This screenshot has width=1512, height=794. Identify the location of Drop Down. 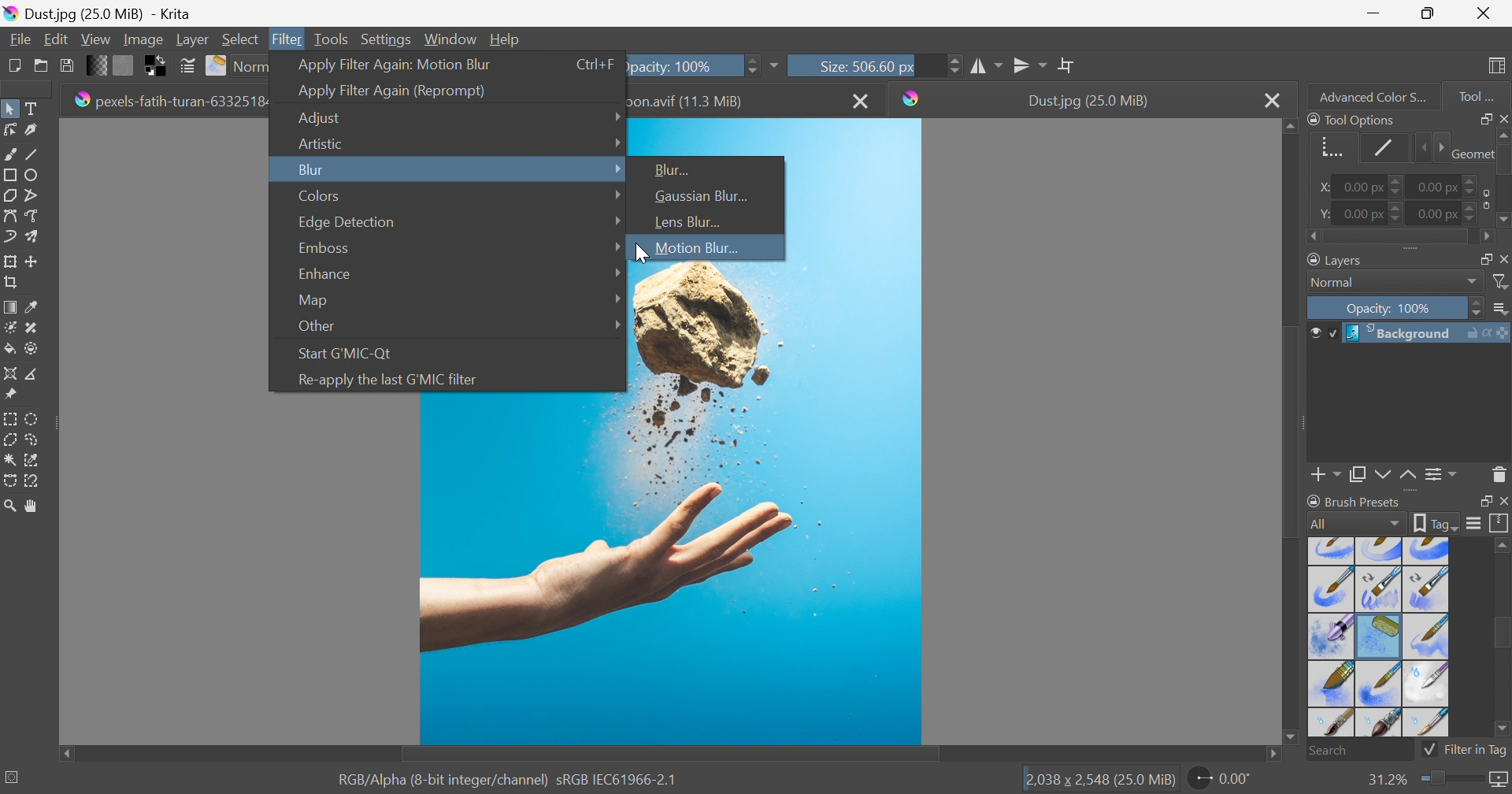
(618, 168).